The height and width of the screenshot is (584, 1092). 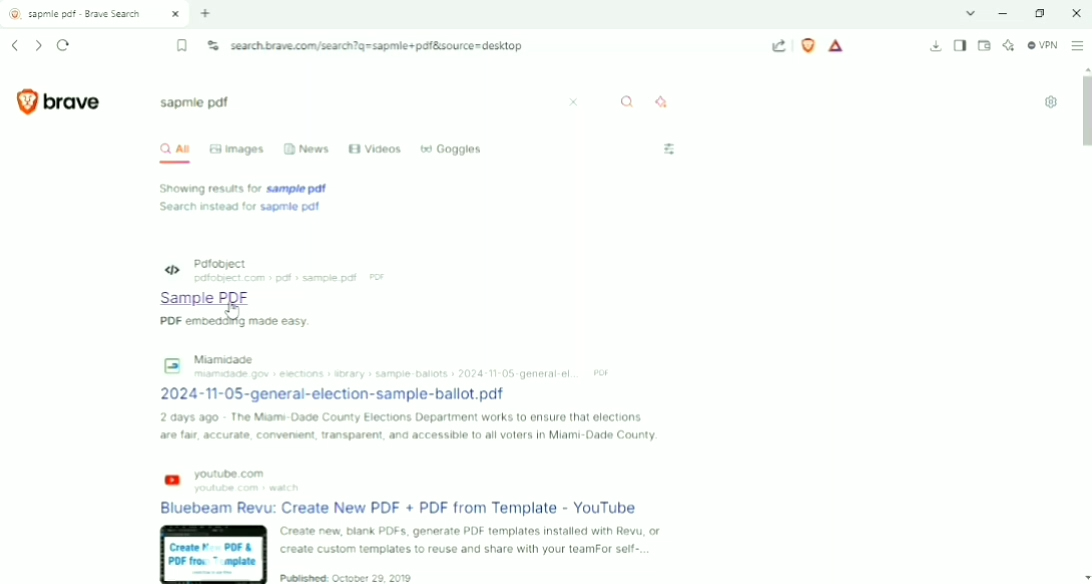 What do you see at coordinates (1042, 45) in the screenshot?
I see `Brave Firewall + VPN` at bounding box center [1042, 45].